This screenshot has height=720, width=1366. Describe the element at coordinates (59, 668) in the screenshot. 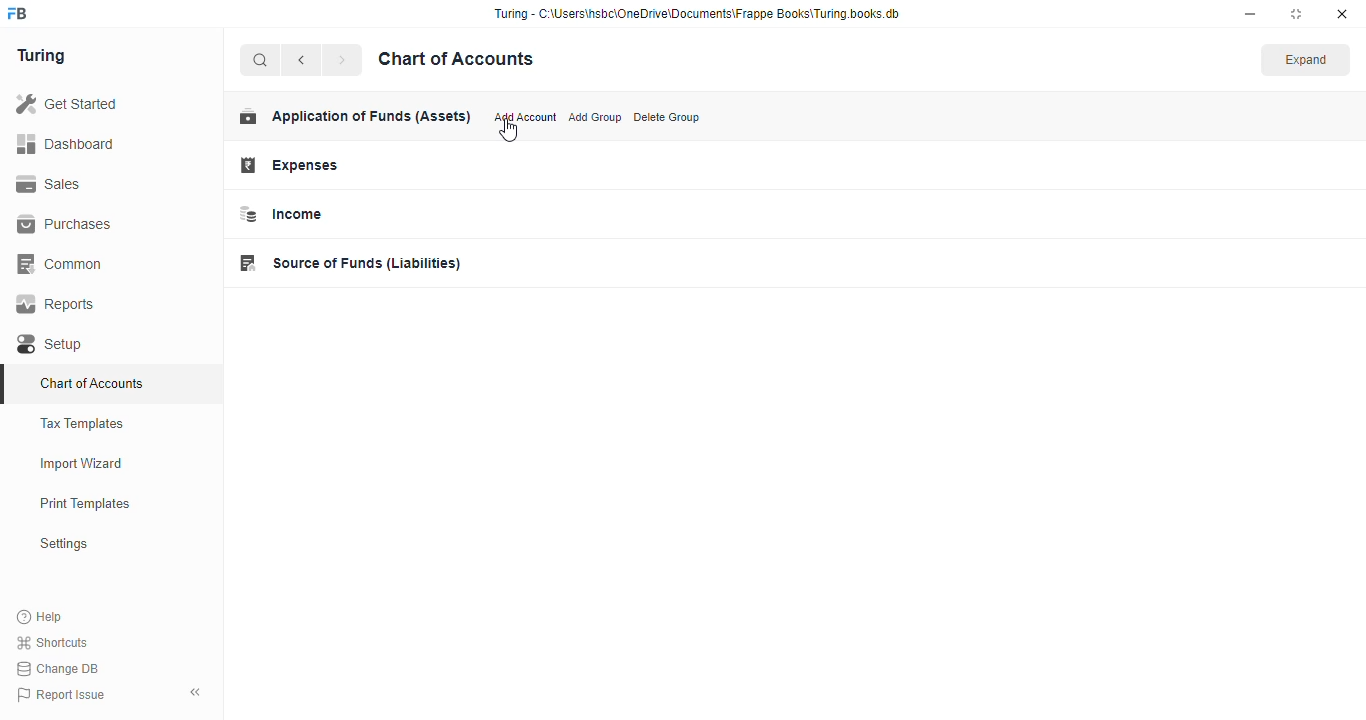

I see `change DB` at that location.